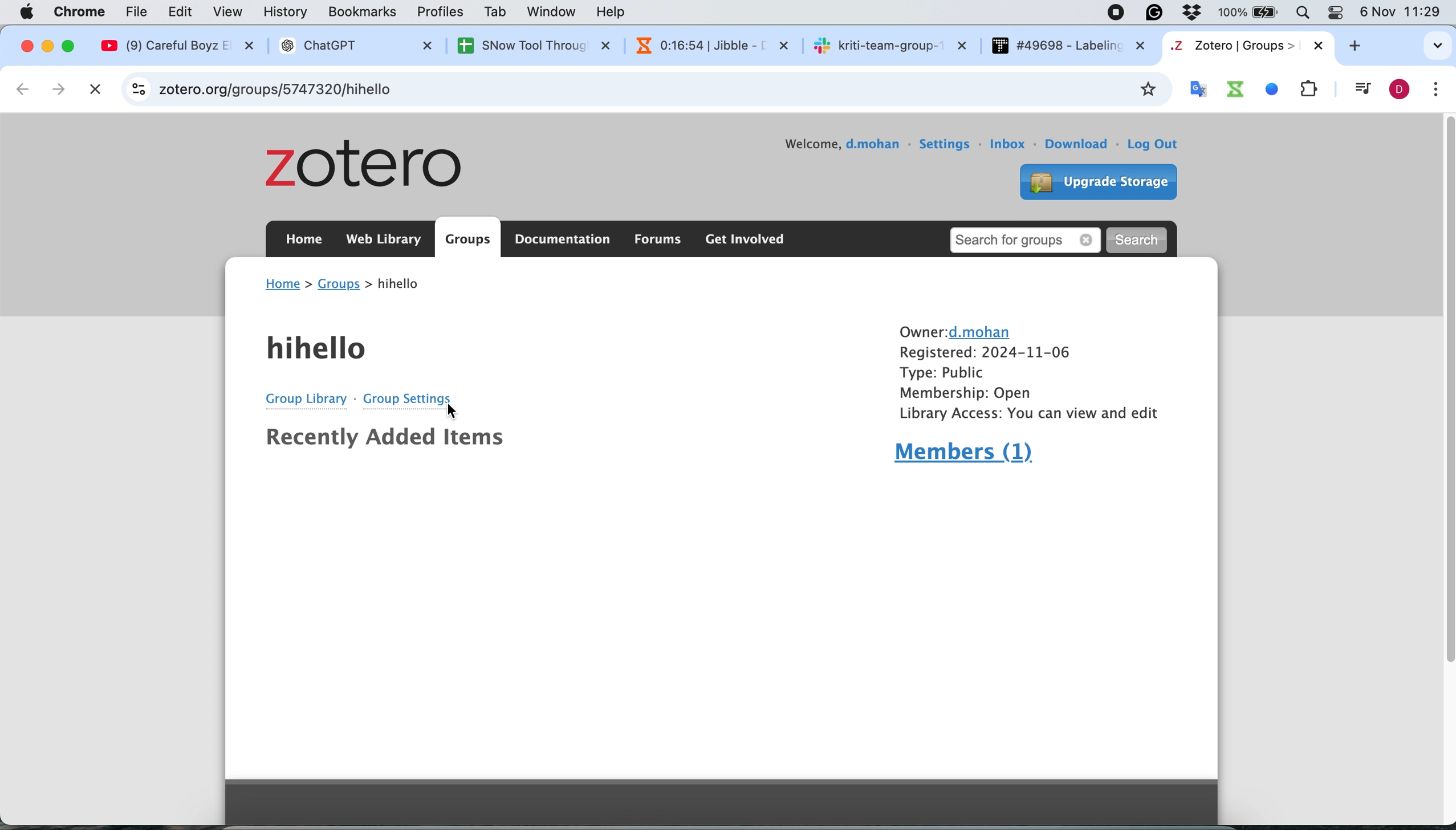 Image resolution: width=1456 pixels, height=830 pixels. Describe the element at coordinates (407, 398) in the screenshot. I see `group settings` at that location.